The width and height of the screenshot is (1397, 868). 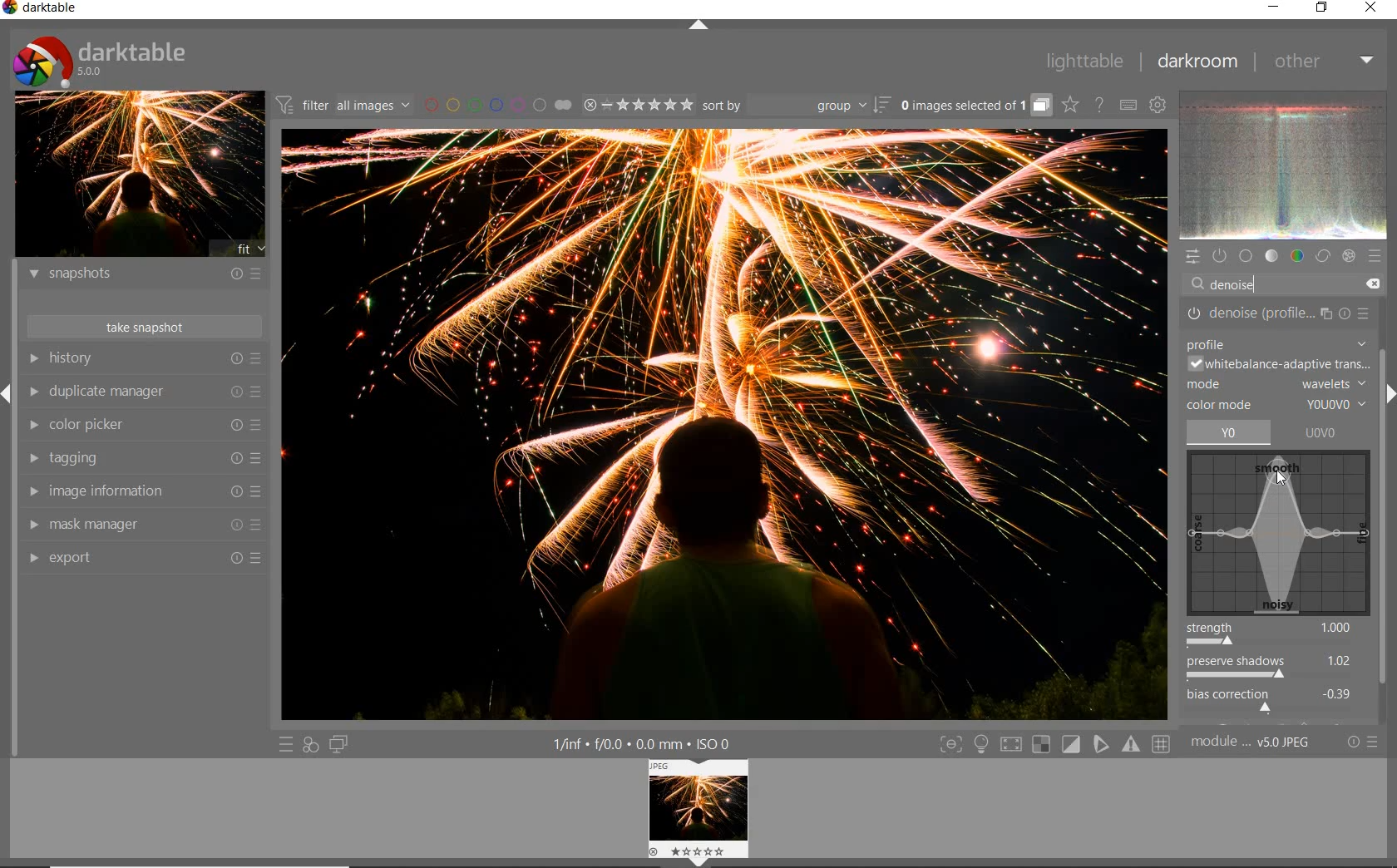 What do you see at coordinates (1069, 104) in the screenshot?
I see `click to change overlays on thumbnails` at bounding box center [1069, 104].